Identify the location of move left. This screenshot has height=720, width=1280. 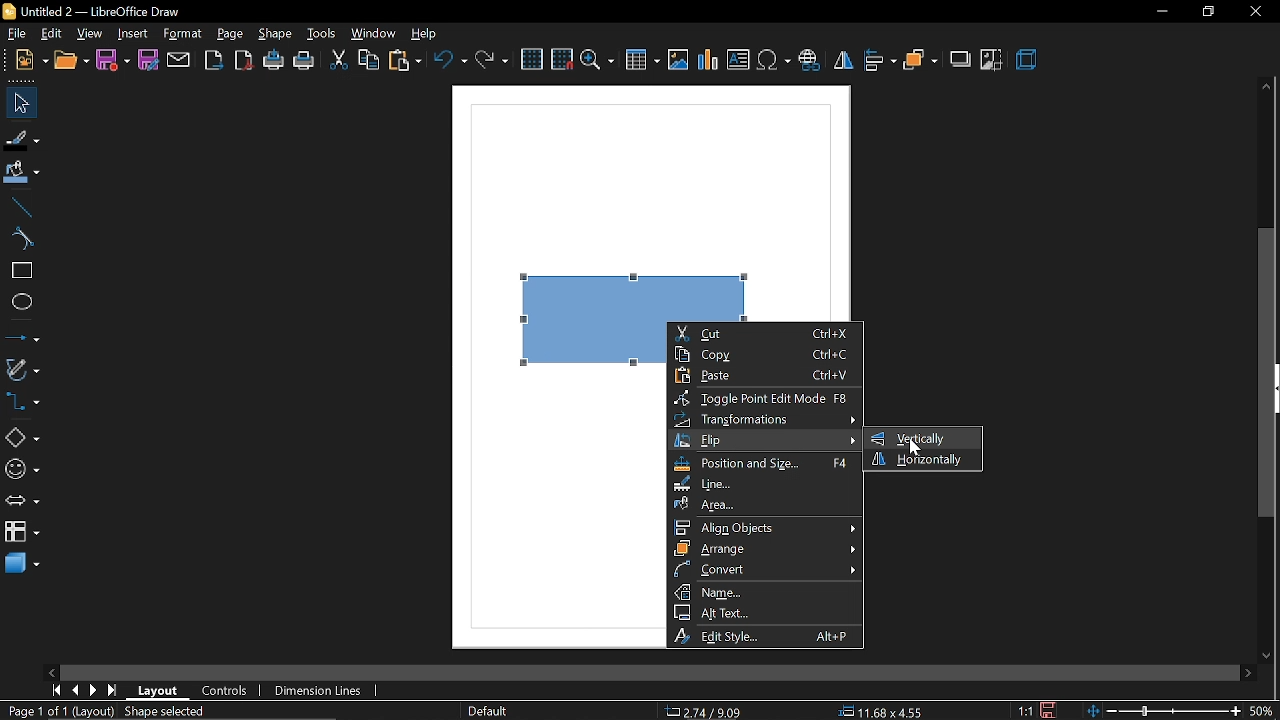
(50, 671).